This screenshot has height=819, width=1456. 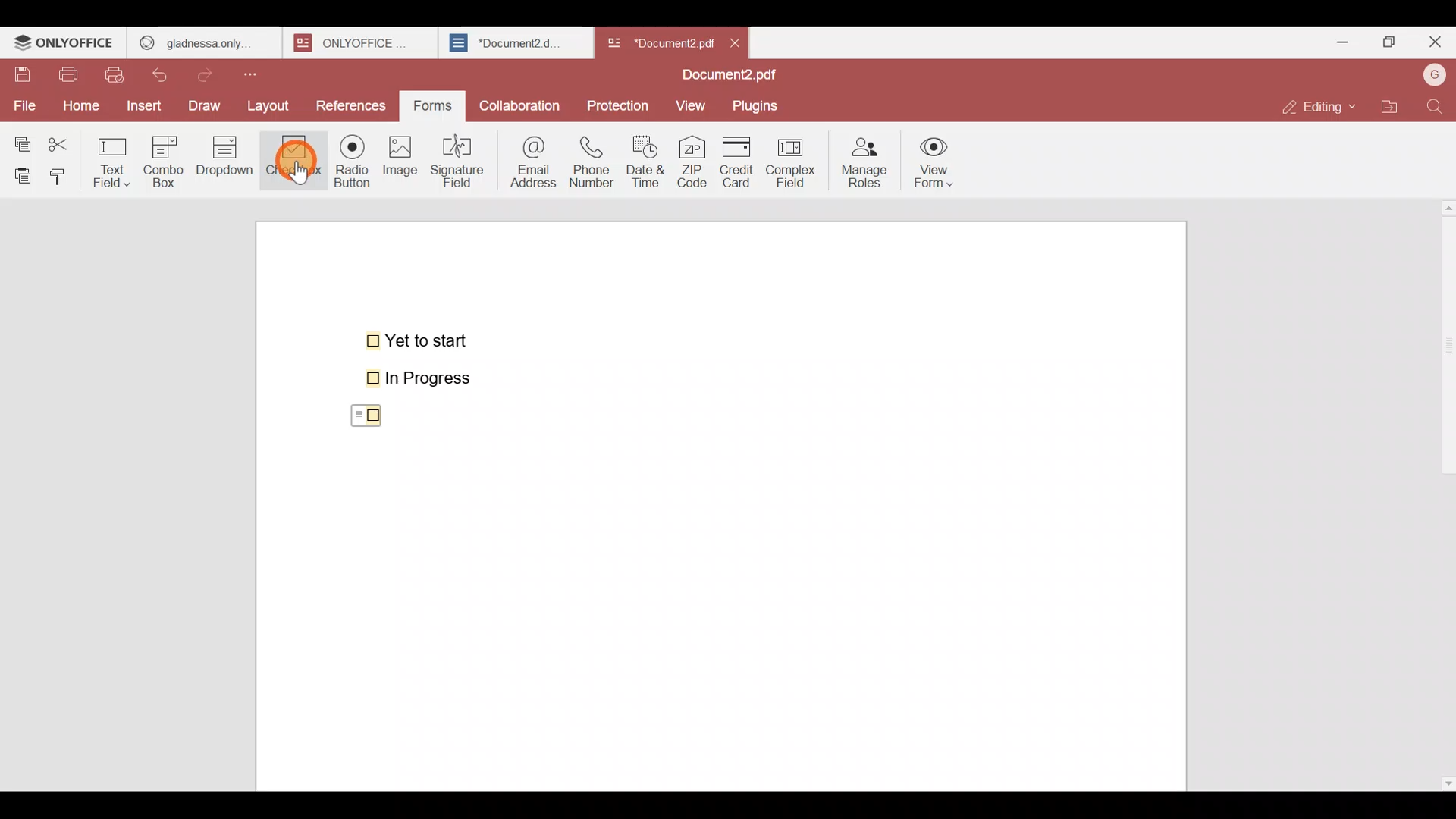 What do you see at coordinates (649, 162) in the screenshot?
I see `Date & time` at bounding box center [649, 162].